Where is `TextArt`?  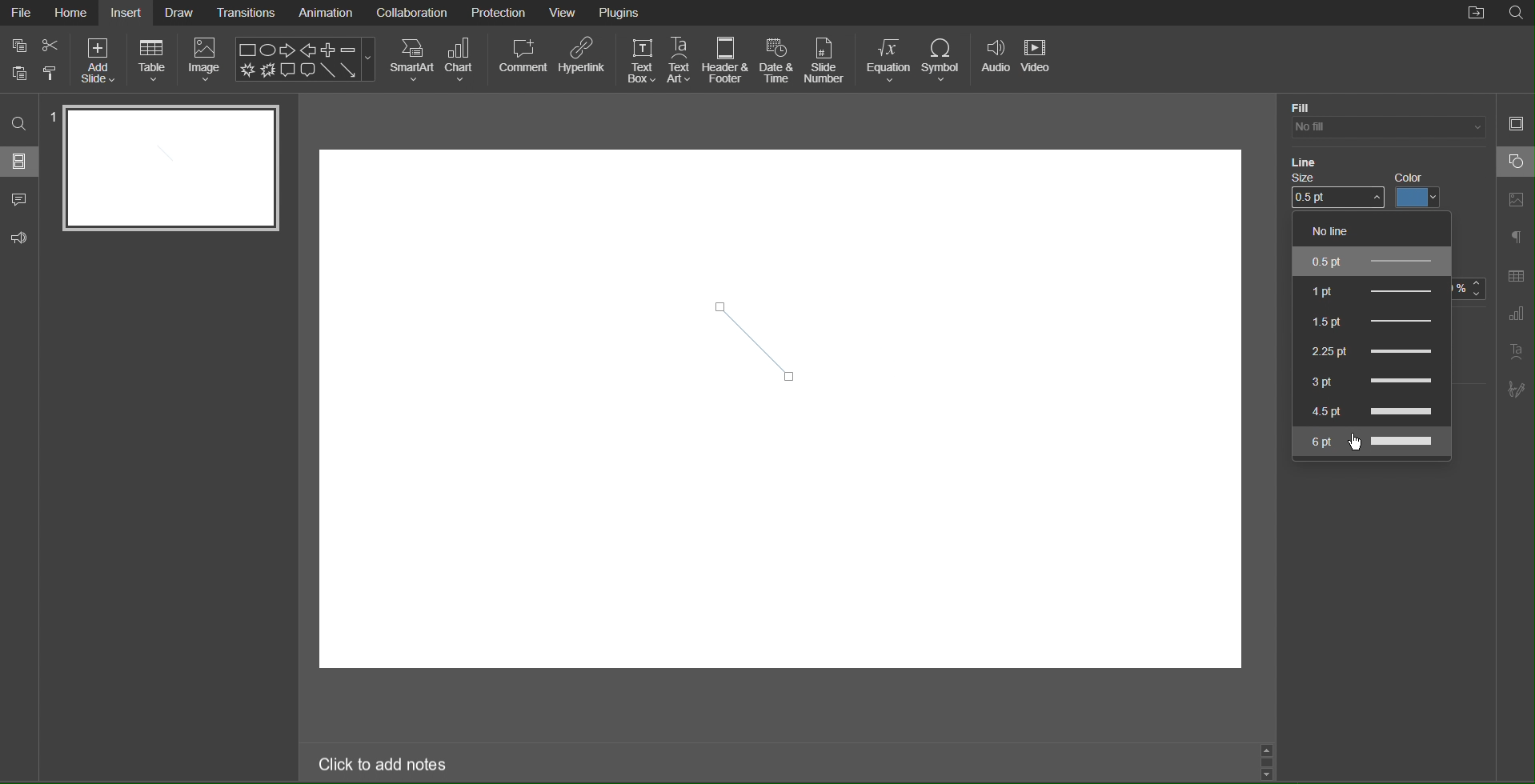
TextArt is located at coordinates (1517, 351).